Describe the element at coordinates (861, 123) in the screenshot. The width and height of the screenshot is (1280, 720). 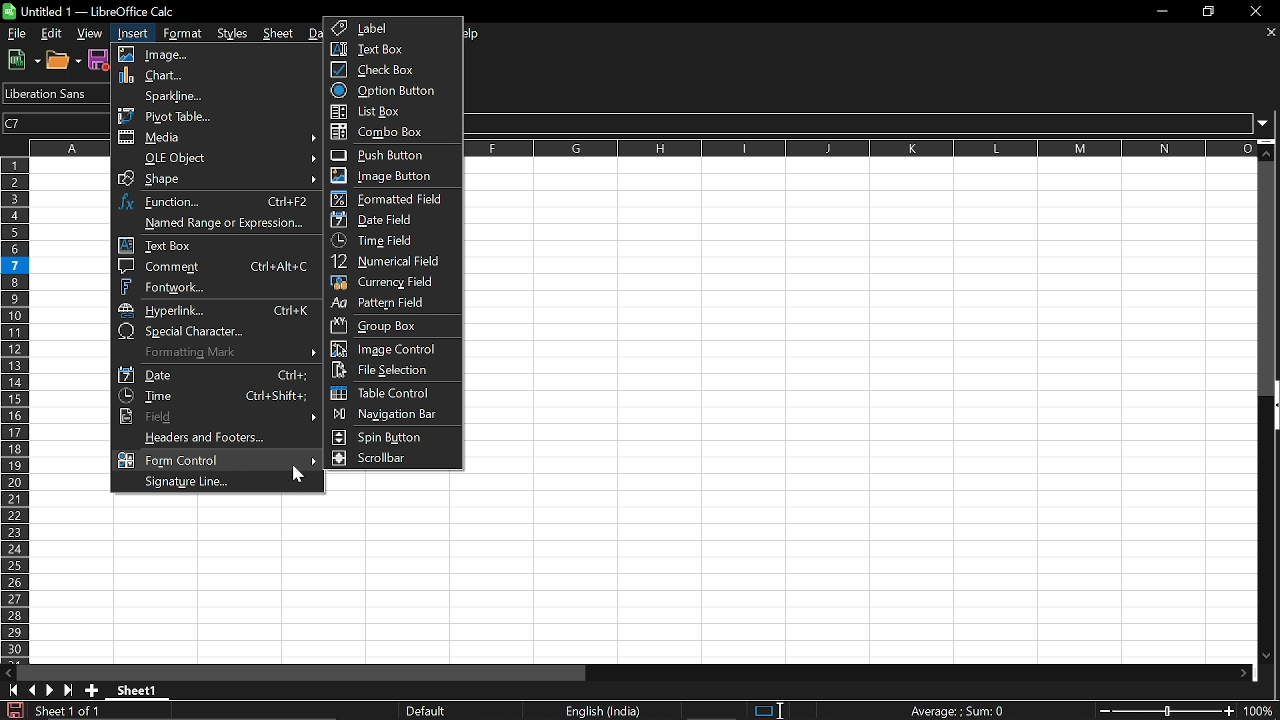
I see `Input line` at that location.